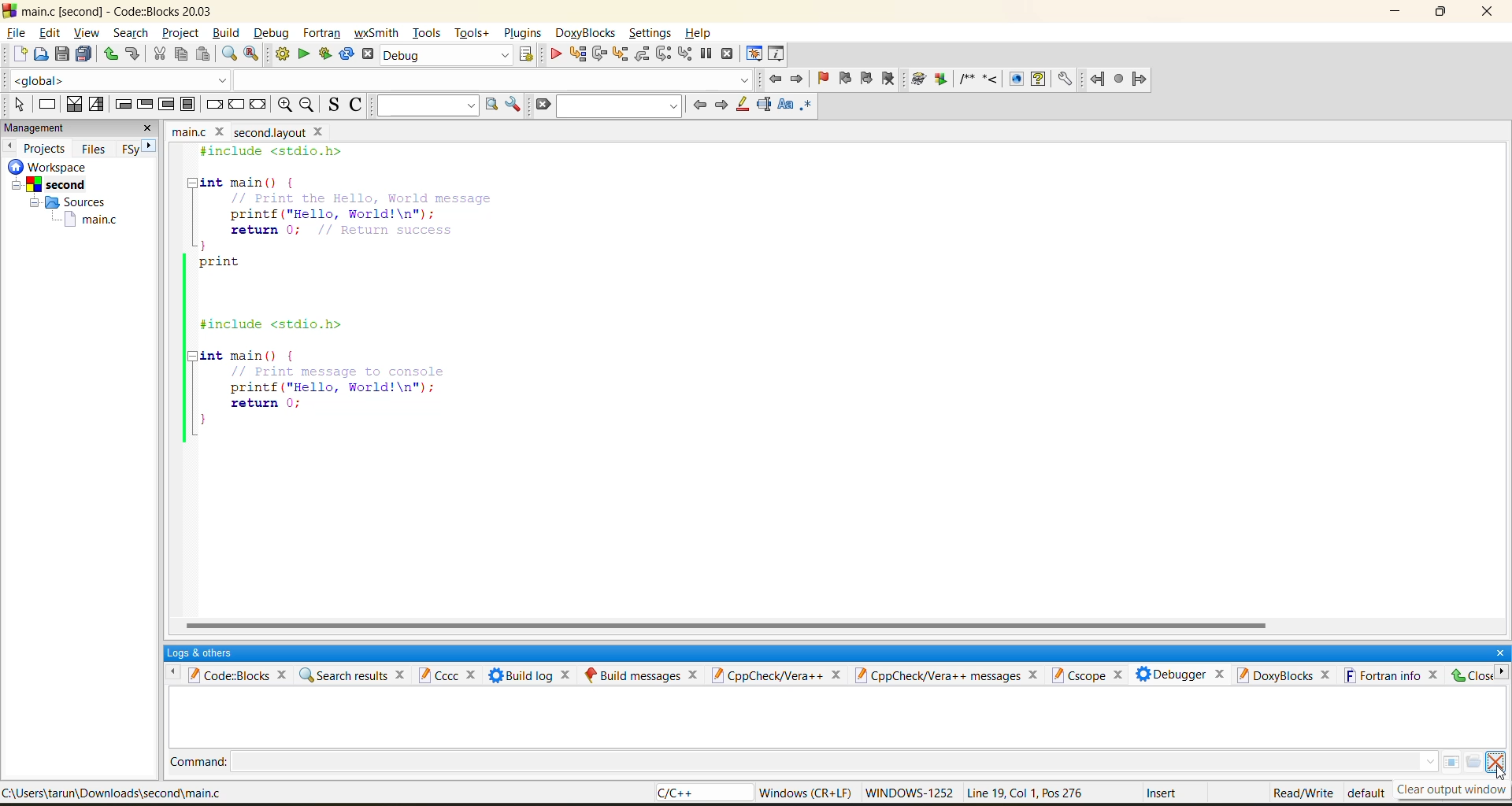 The image size is (1512, 806). I want to click on highlight, so click(743, 105).